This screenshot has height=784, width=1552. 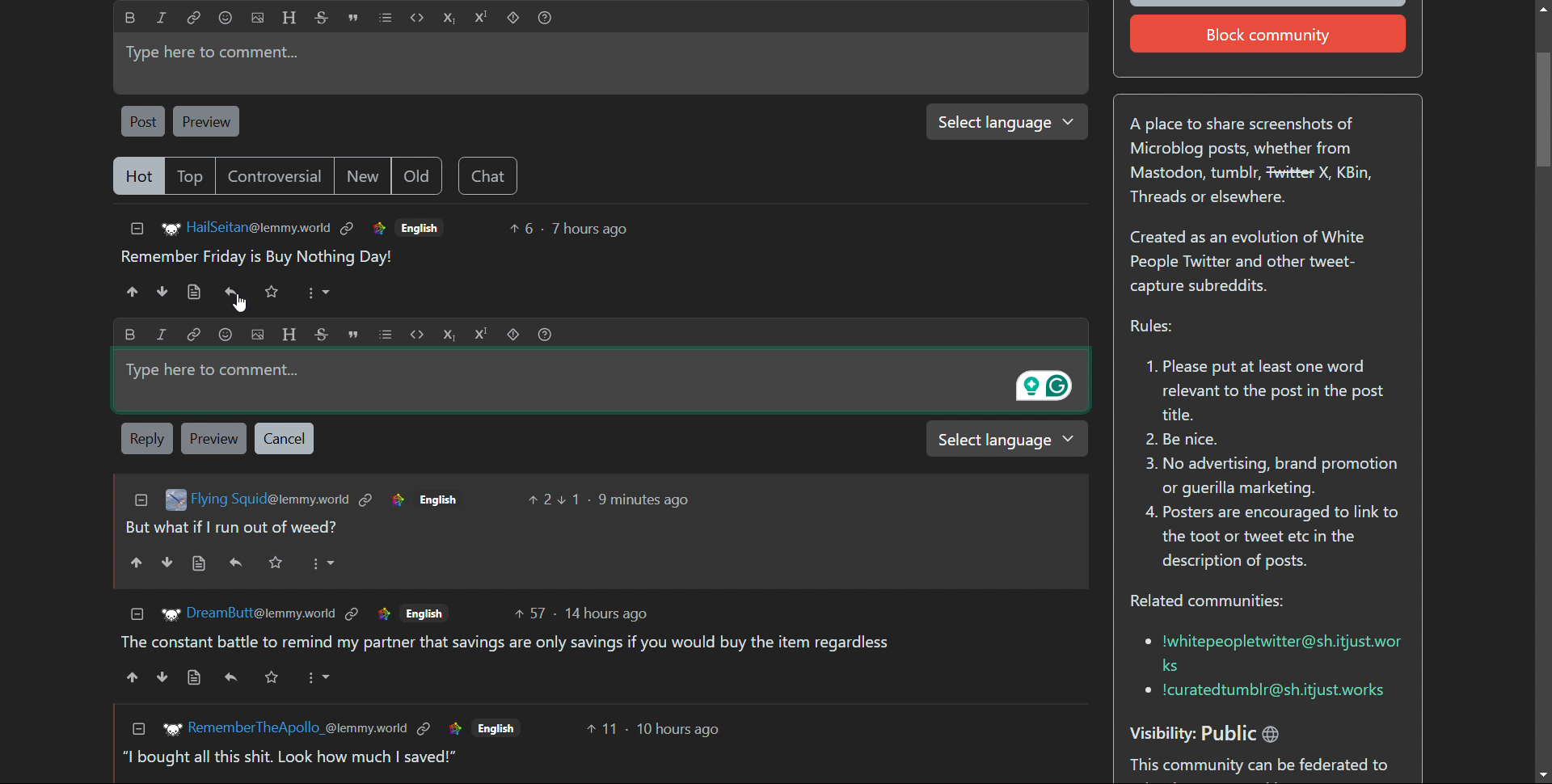 What do you see at coordinates (544, 19) in the screenshot?
I see `help` at bounding box center [544, 19].